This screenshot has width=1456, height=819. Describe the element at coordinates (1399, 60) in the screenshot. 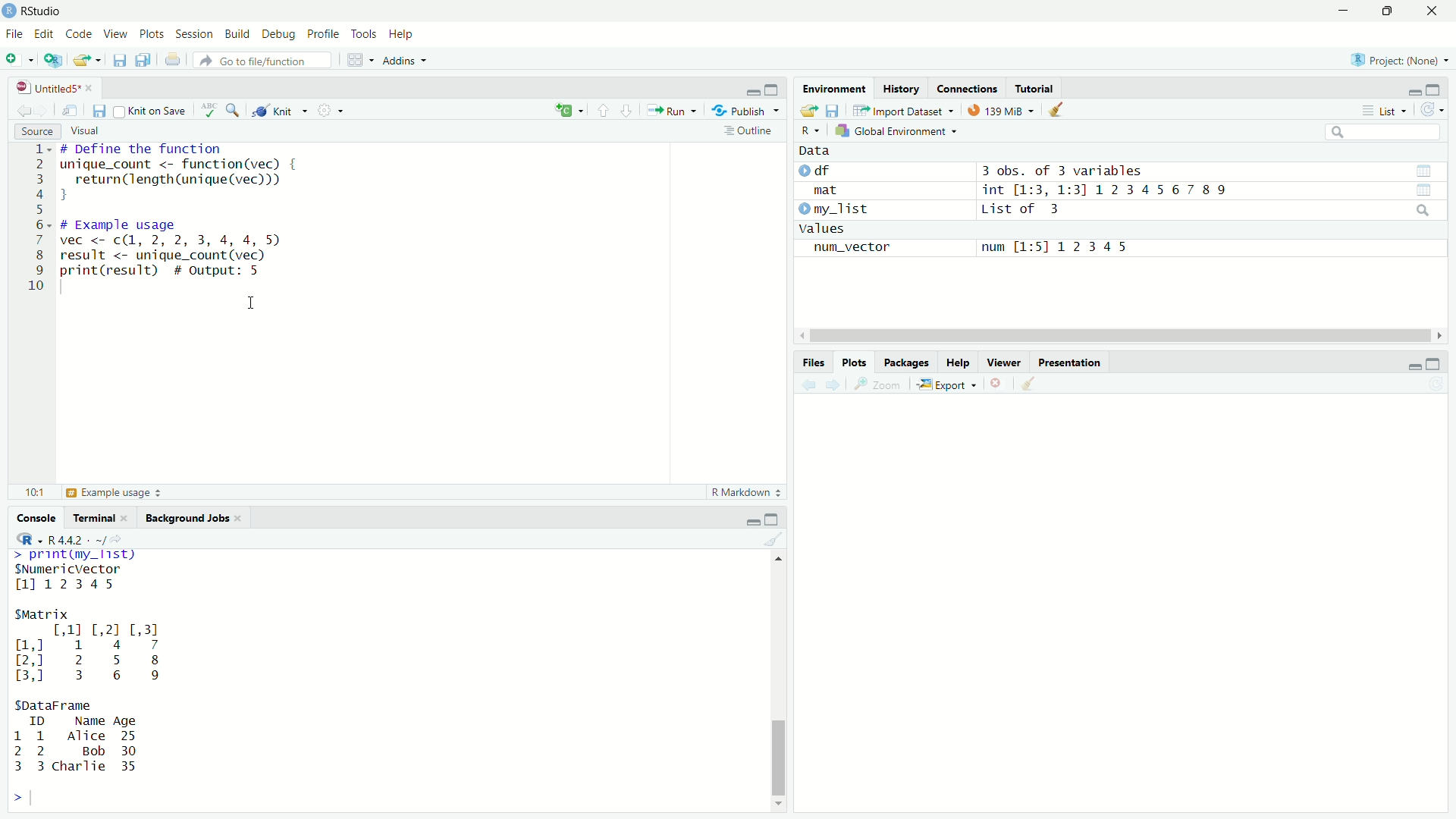

I see `Project(None)` at that location.